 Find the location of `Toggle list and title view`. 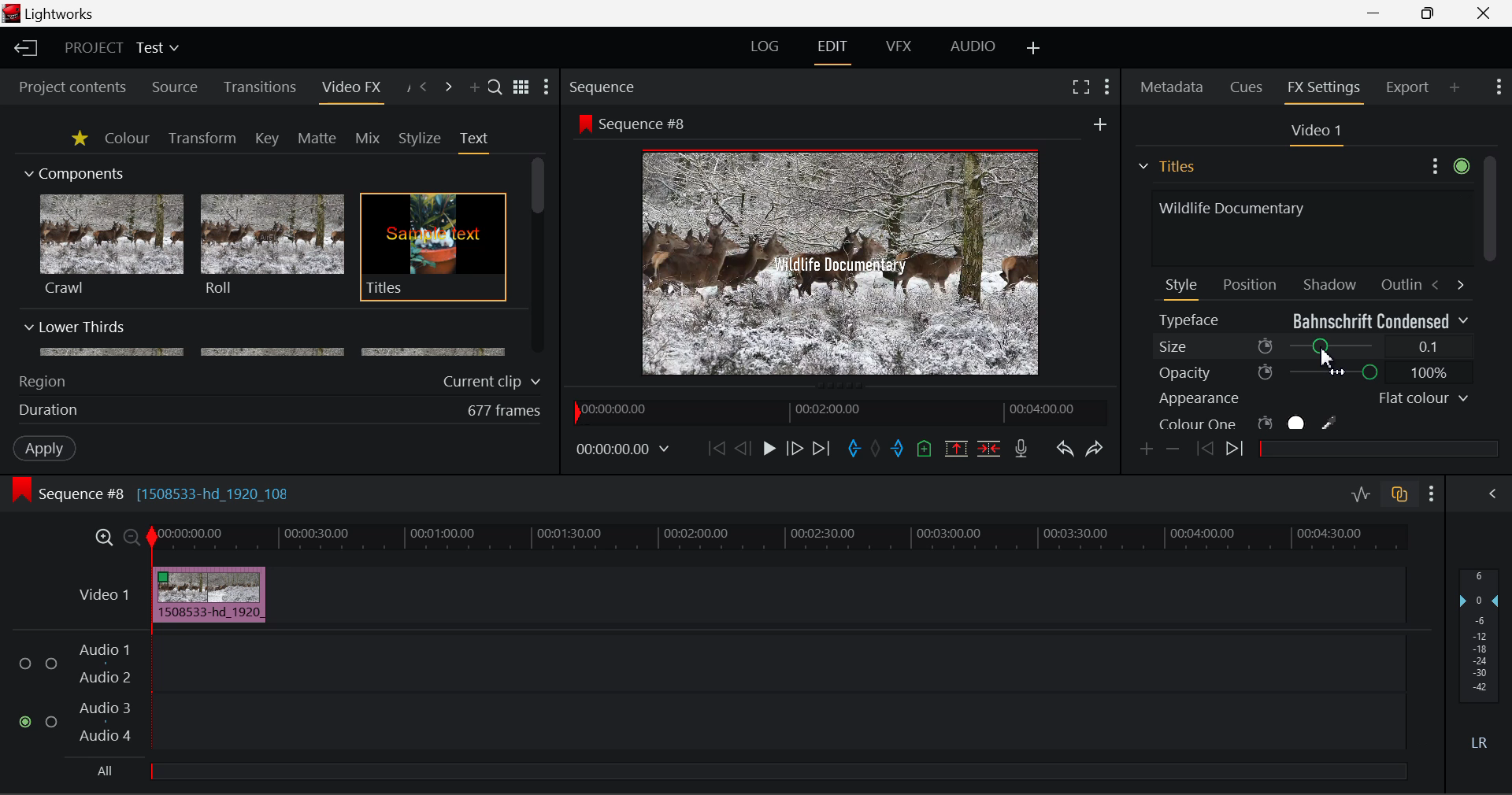

Toggle list and title view is located at coordinates (523, 87).